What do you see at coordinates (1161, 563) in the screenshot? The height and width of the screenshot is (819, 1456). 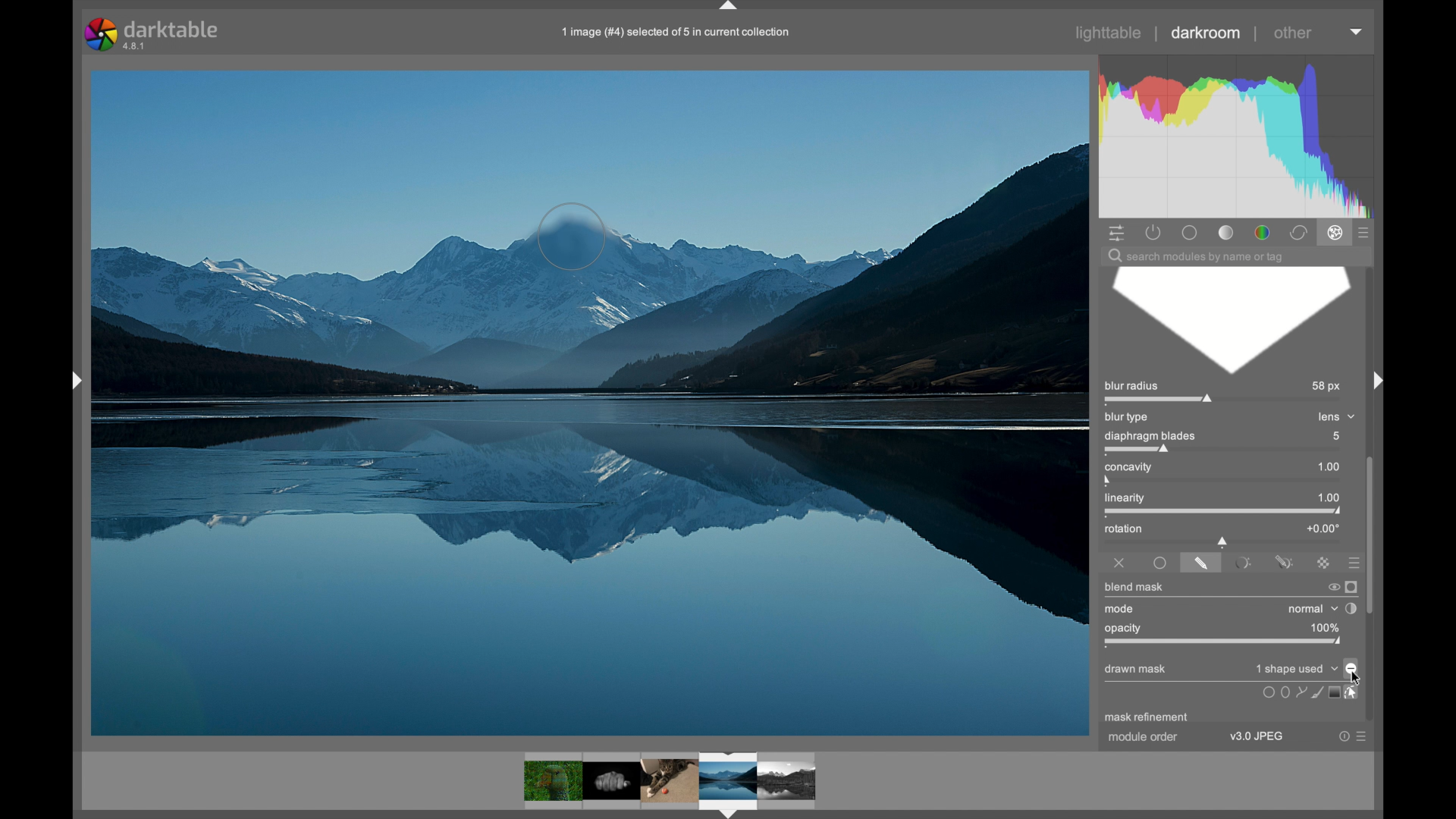 I see `uniformly` at bounding box center [1161, 563].